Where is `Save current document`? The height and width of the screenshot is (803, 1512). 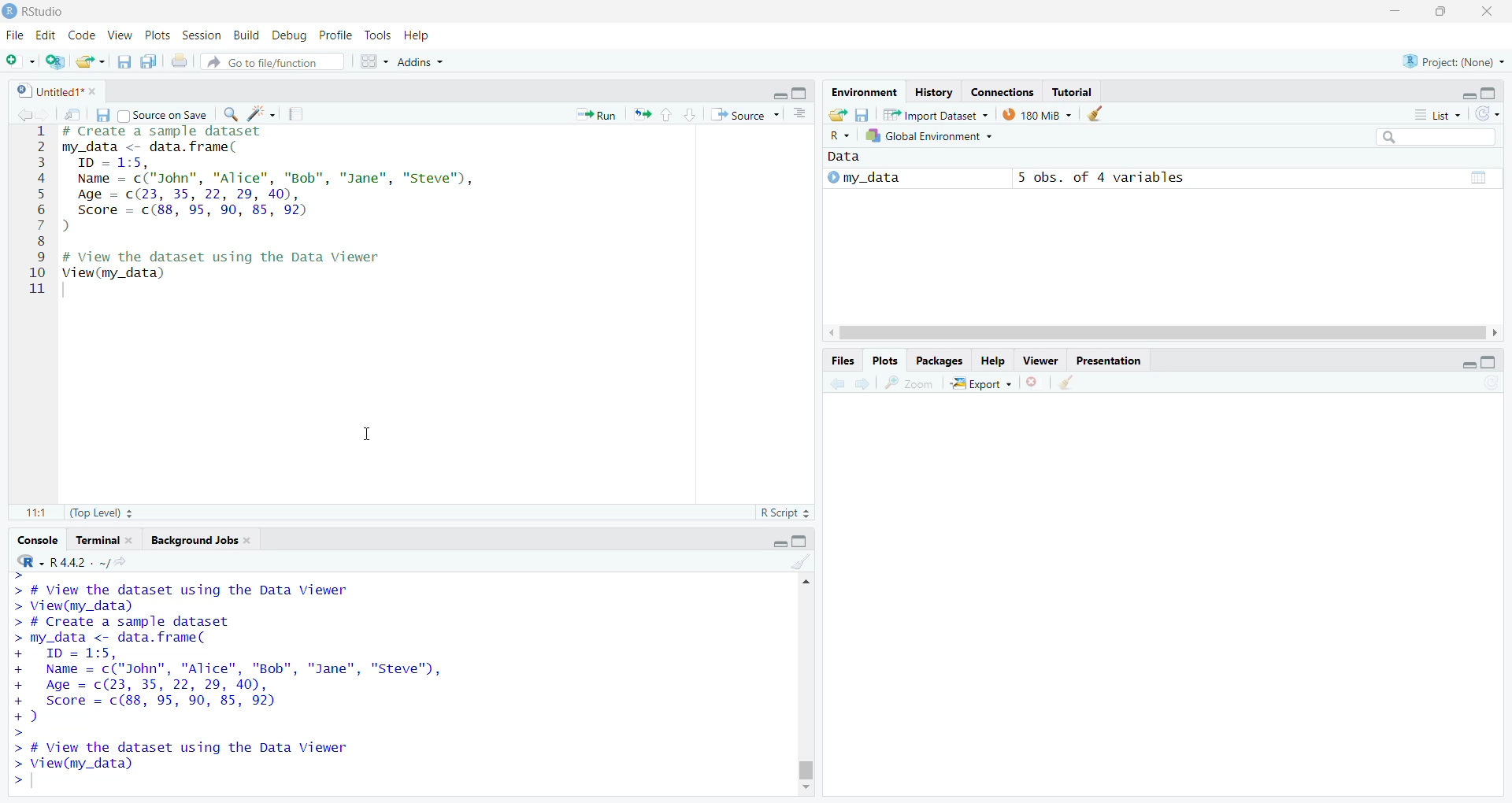 Save current document is located at coordinates (124, 65).